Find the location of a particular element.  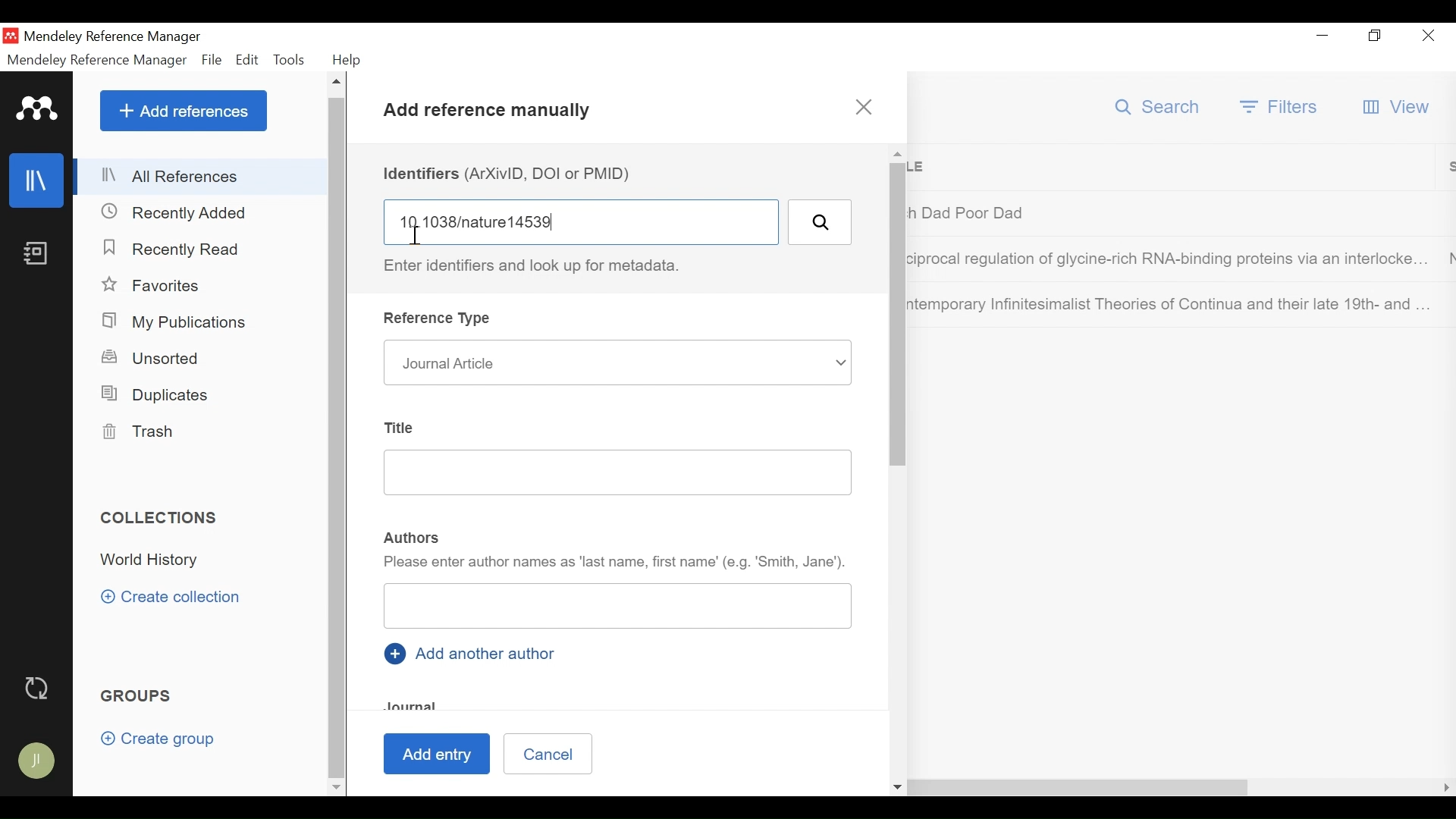

cursor is located at coordinates (422, 237).